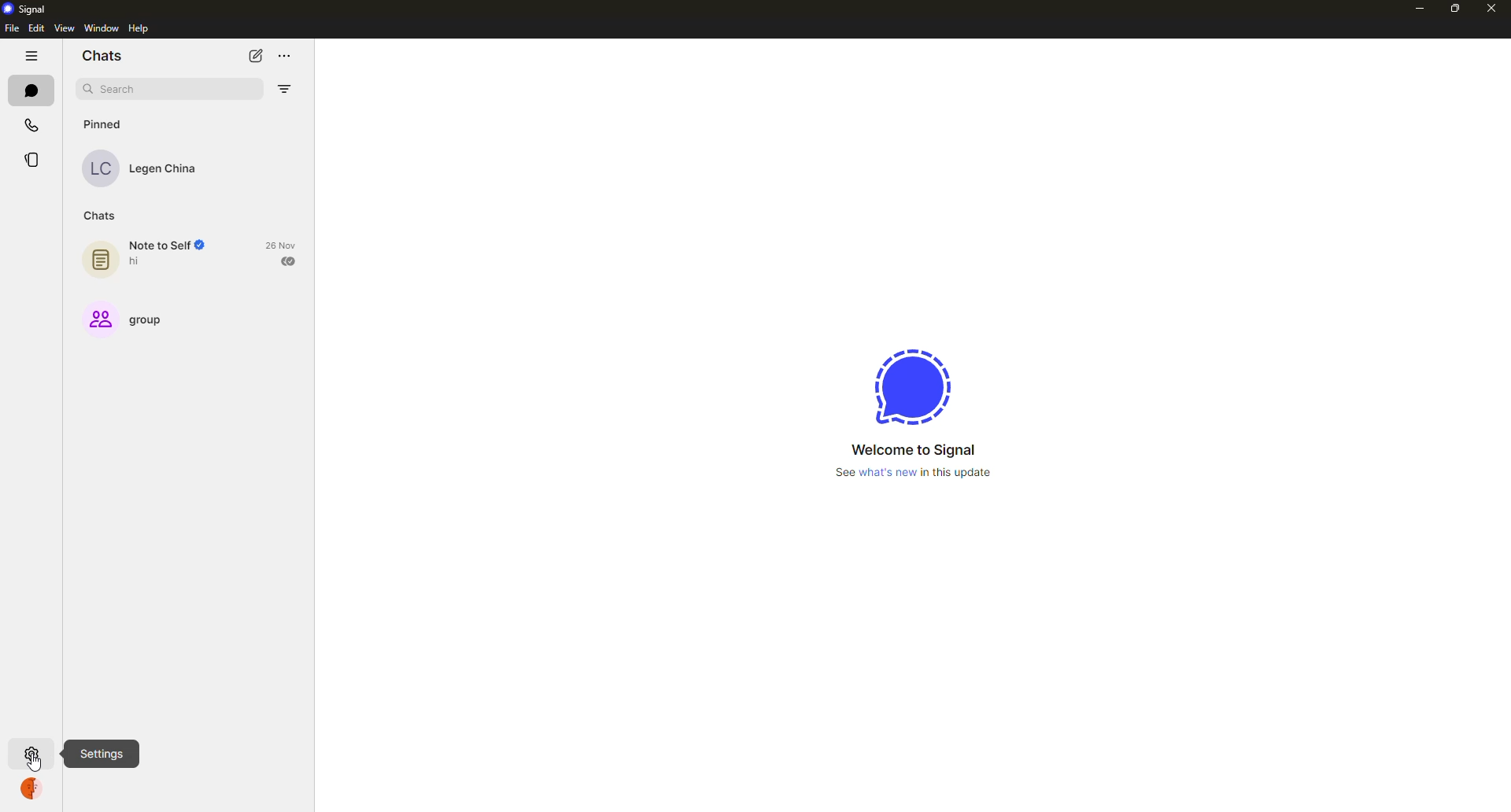 The image size is (1511, 812). Describe the element at coordinates (1492, 9) in the screenshot. I see `close` at that location.